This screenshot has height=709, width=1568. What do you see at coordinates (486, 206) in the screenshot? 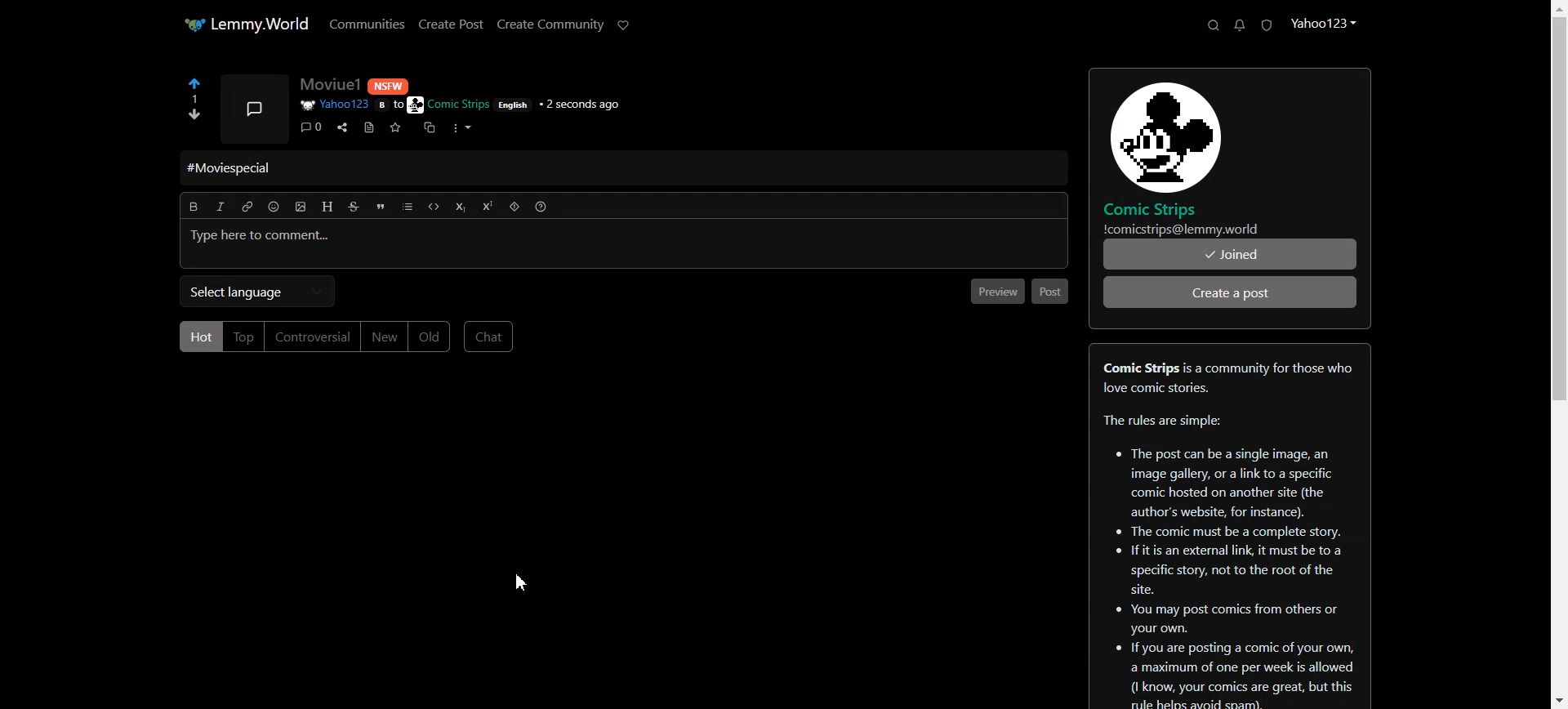
I see `Superscript` at bounding box center [486, 206].